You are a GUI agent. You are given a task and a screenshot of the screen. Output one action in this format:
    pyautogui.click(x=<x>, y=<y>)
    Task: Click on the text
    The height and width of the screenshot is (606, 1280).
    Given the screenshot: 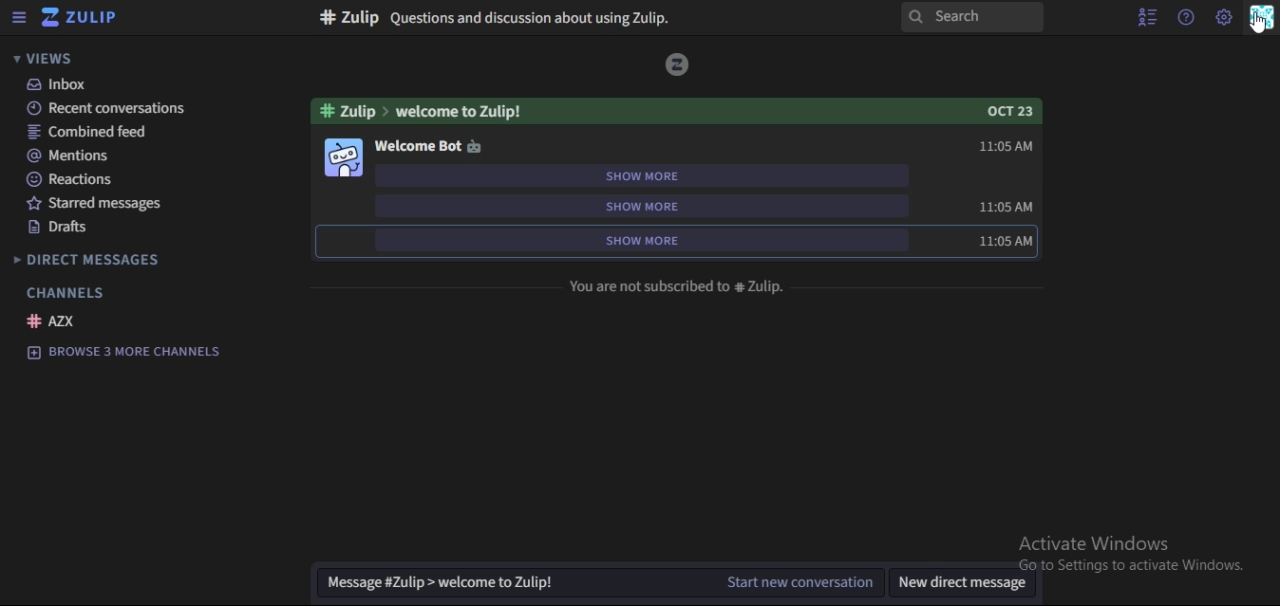 What is the action you would take?
    pyautogui.click(x=674, y=112)
    